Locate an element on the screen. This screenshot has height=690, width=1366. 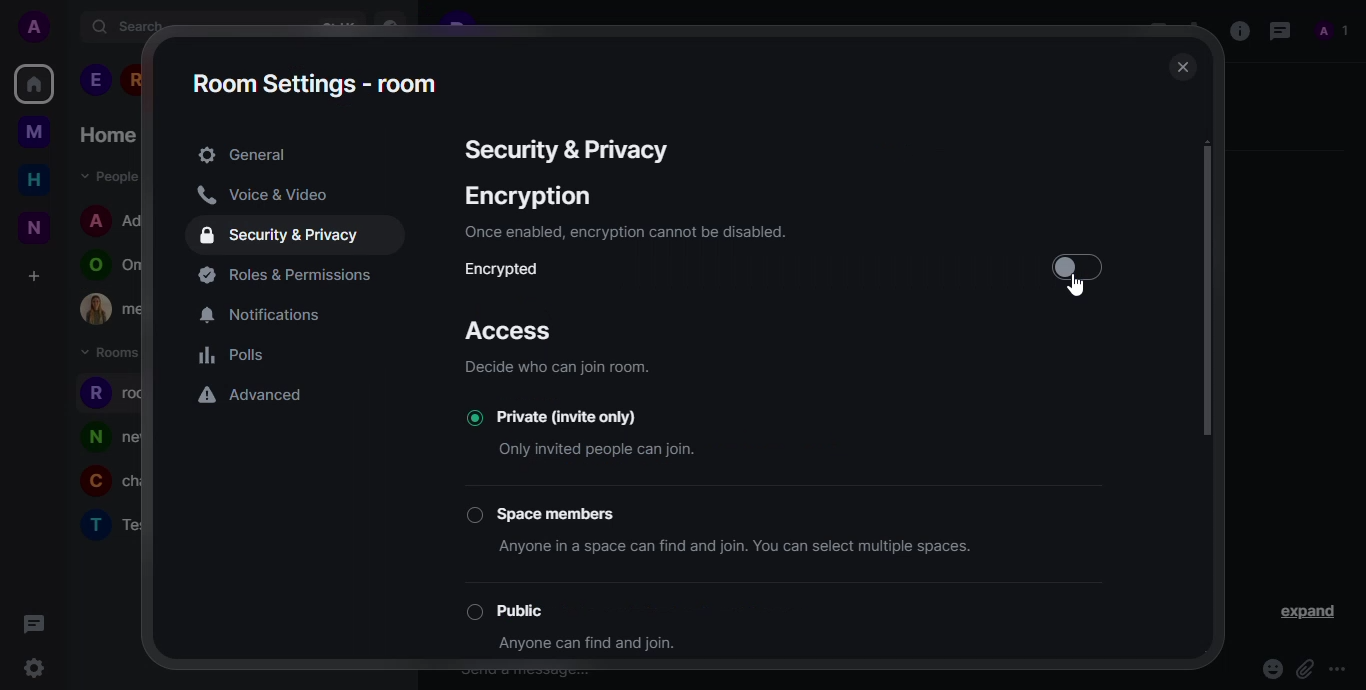
profile is located at coordinates (96, 219).